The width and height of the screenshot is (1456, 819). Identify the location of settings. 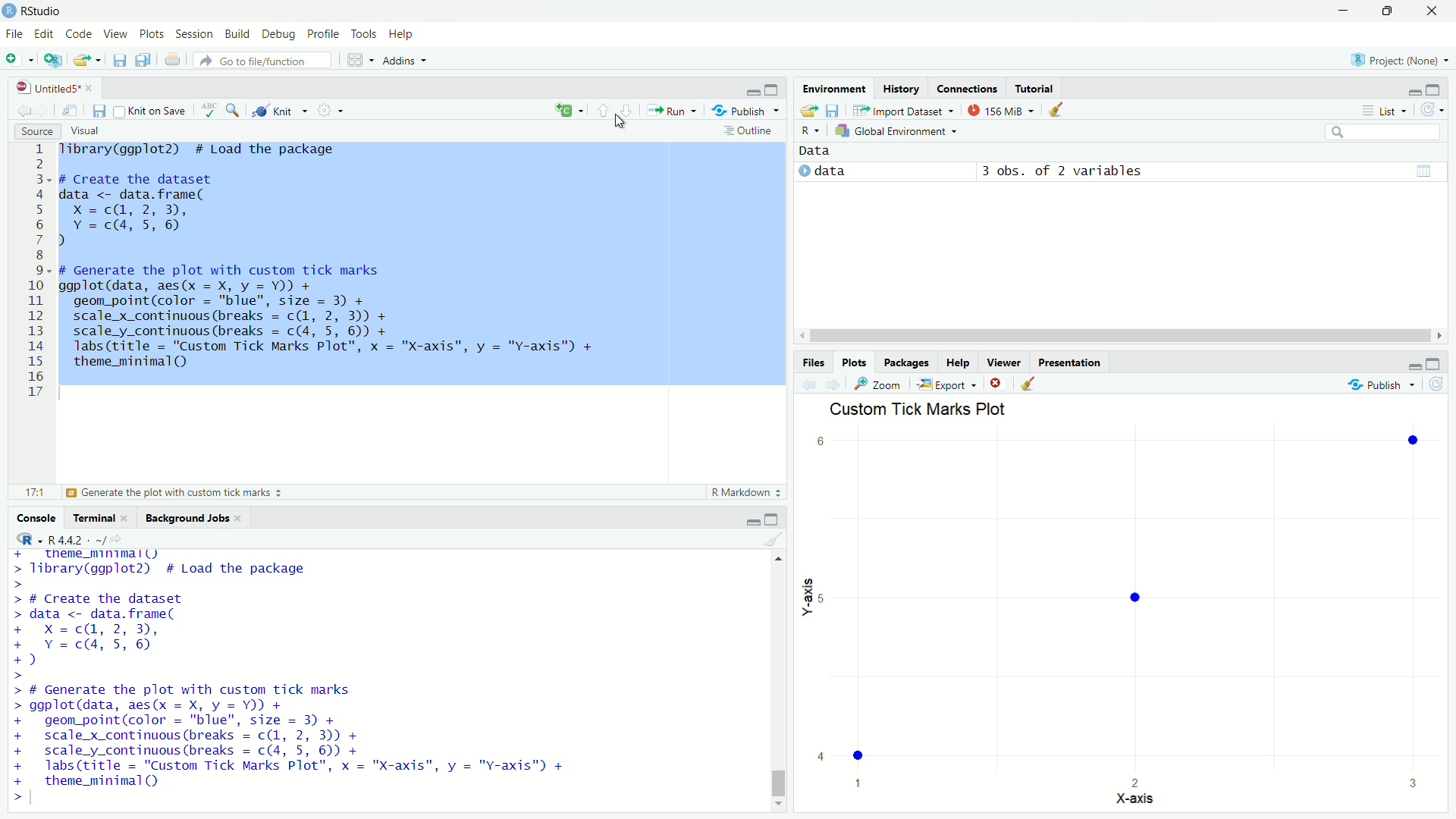
(334, 111).